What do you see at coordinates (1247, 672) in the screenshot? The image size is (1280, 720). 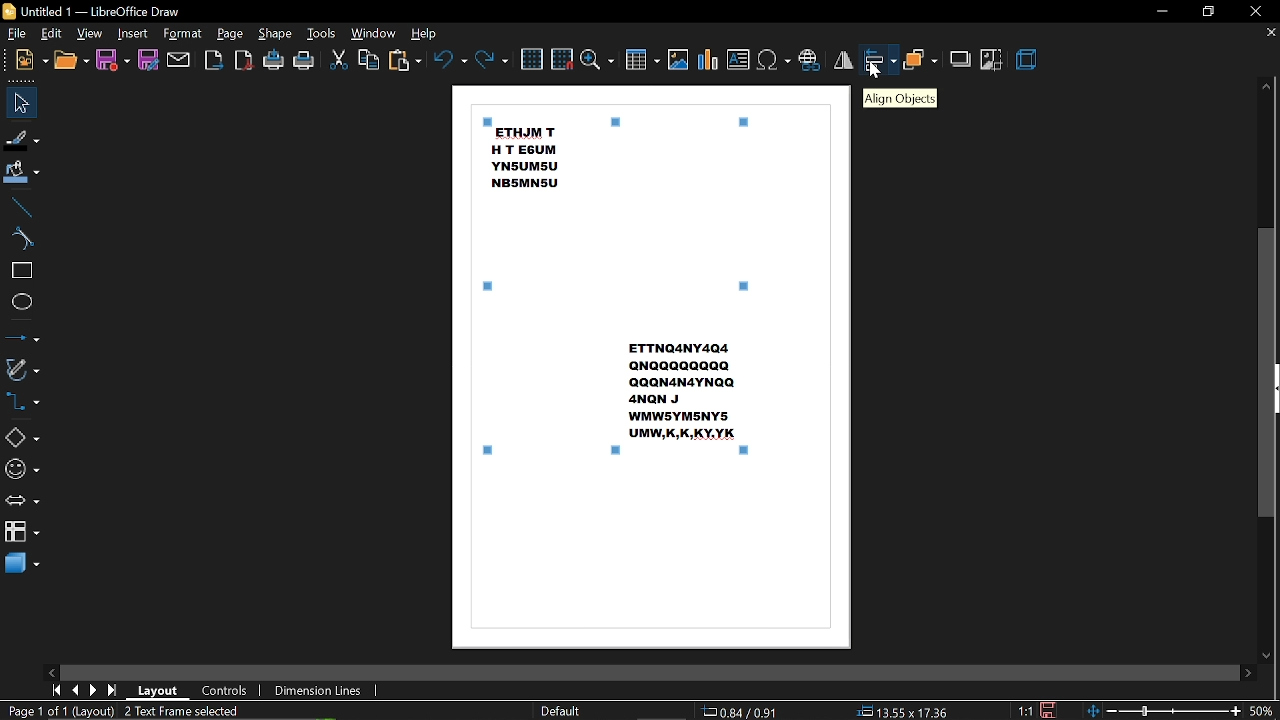 I see `move right` at bounding box center [1247, 672].